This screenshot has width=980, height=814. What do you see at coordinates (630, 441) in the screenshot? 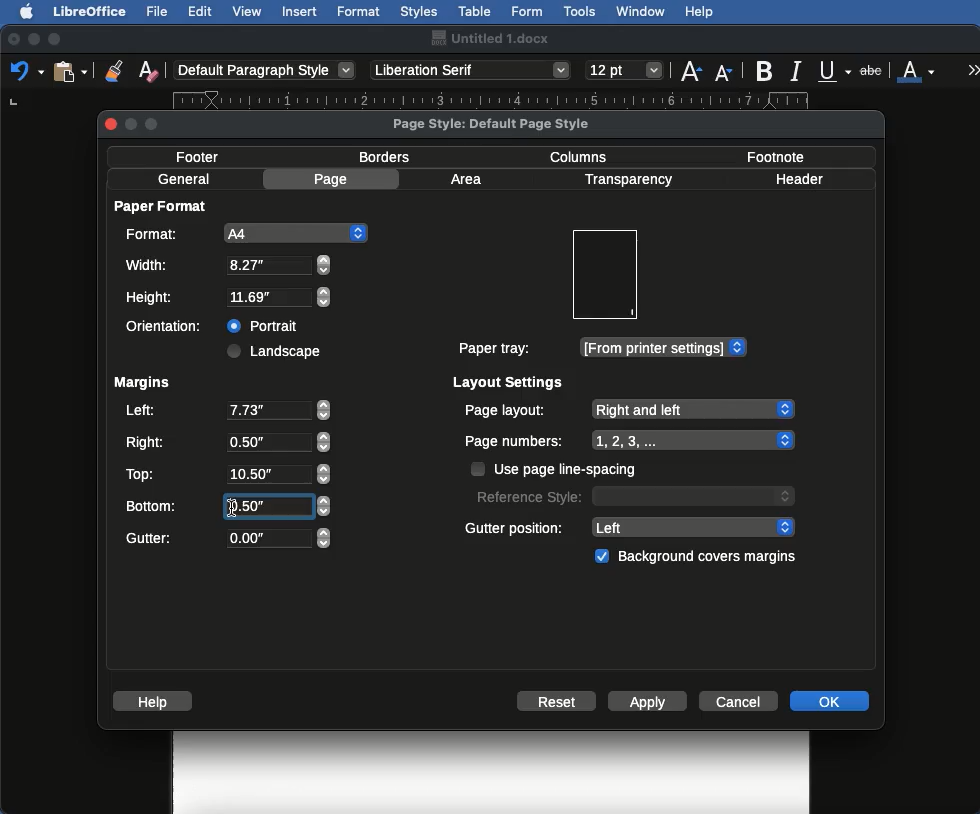
I see `Page numbers` at bounding box center [630, 441].